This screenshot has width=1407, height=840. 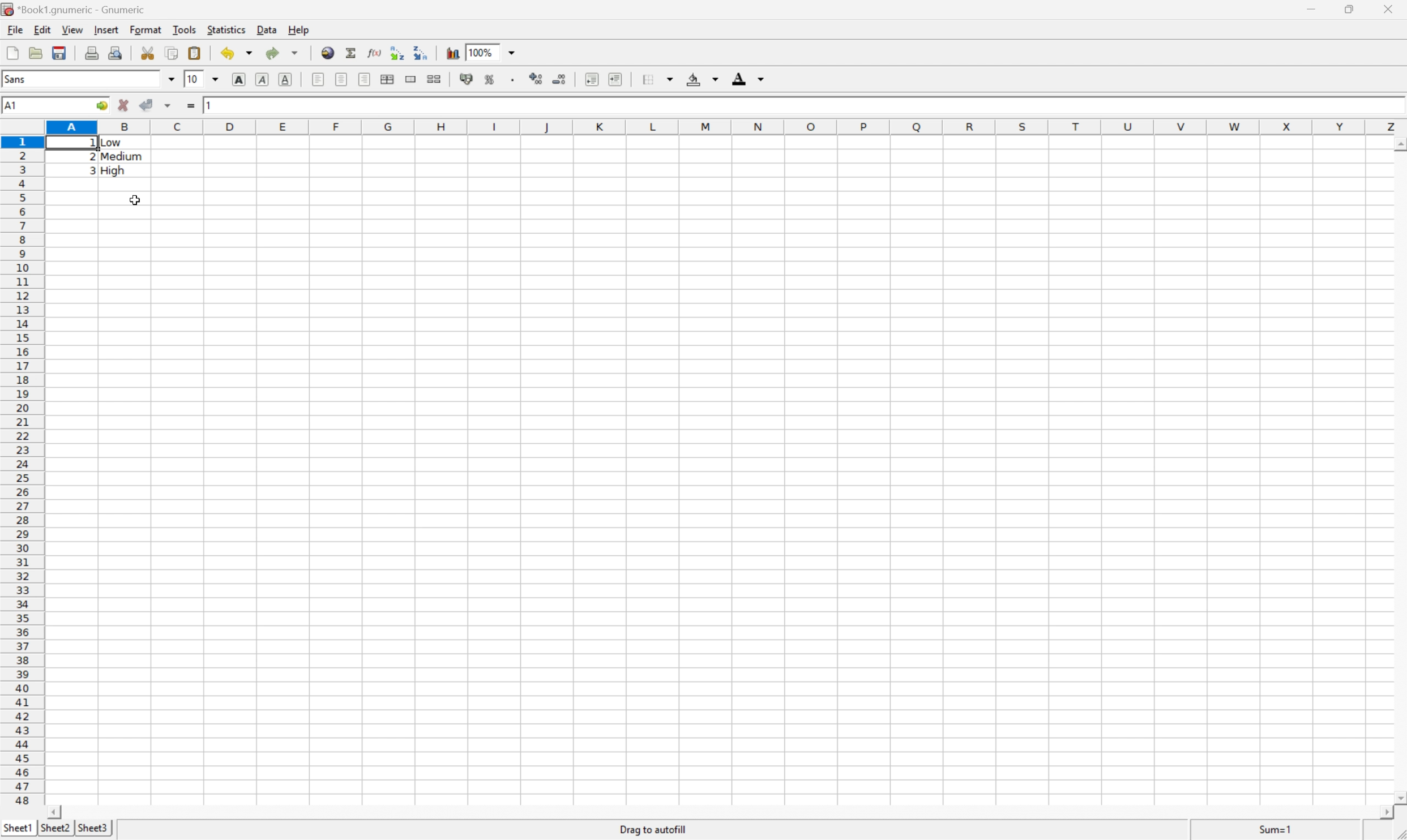 What do you see at coordinates (298, 31) in the screenshot?
I see `Help` at bounding box center [298, 31].